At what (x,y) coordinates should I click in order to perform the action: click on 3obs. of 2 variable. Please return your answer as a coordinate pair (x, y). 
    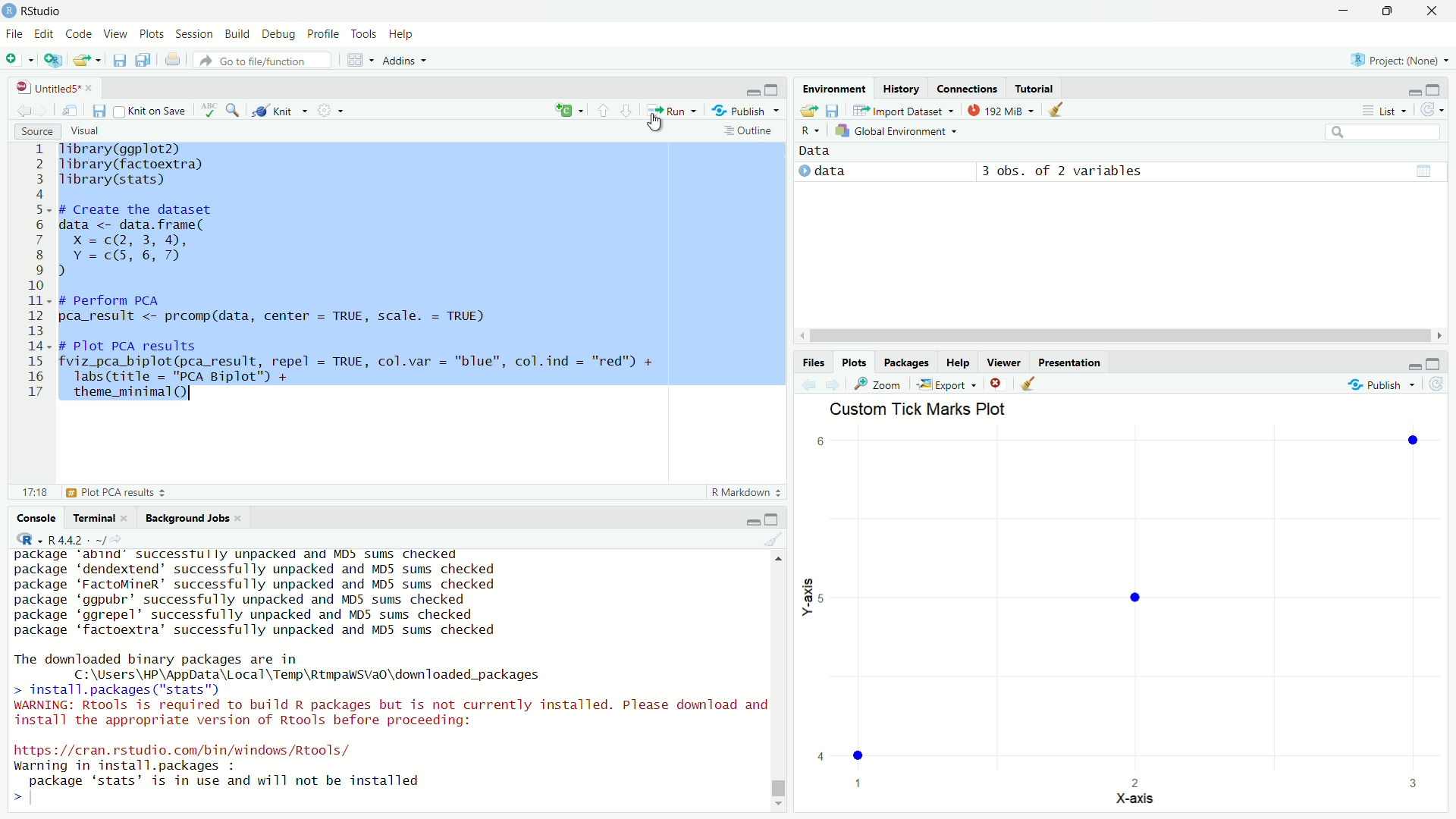
    Looking at the image, I should click on (1203, 173).